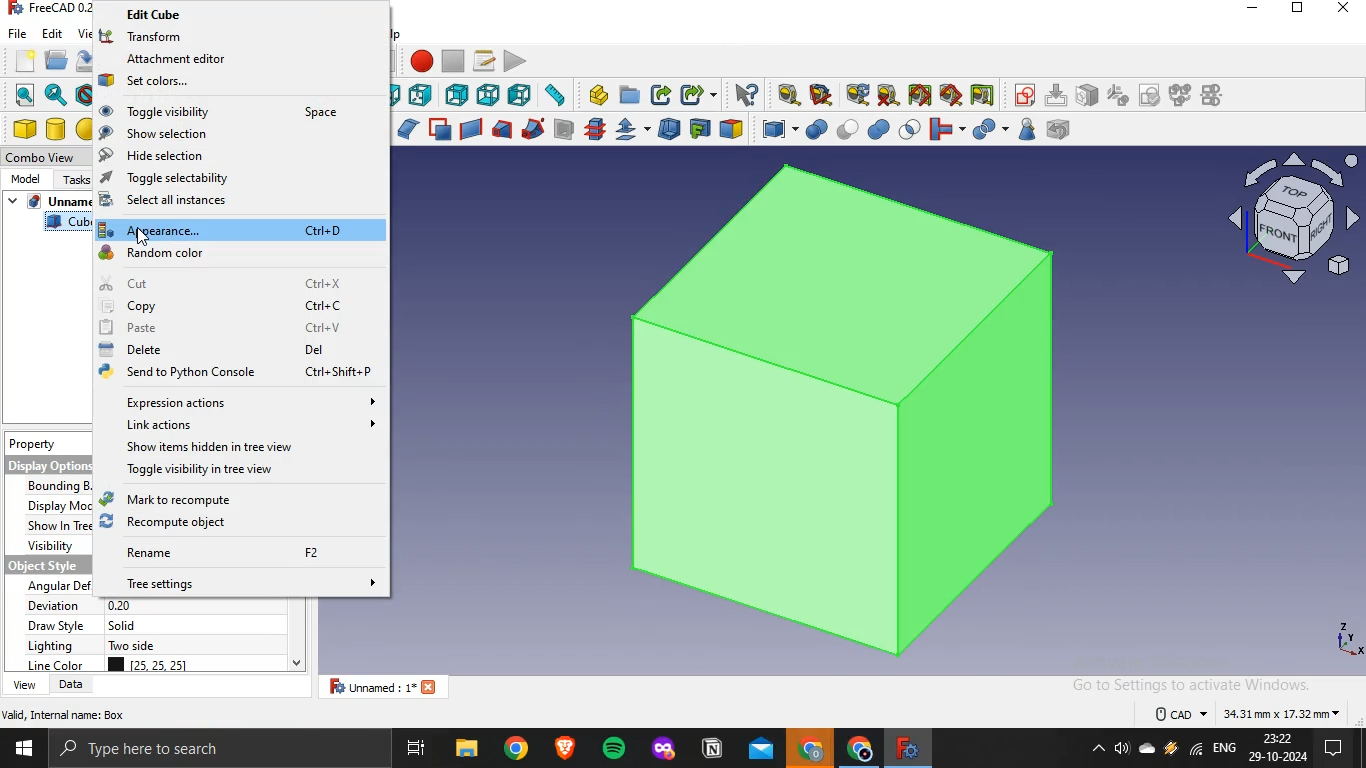 The image size is (1366, 768). I want to click on create projection on surface, so click(699, 128).